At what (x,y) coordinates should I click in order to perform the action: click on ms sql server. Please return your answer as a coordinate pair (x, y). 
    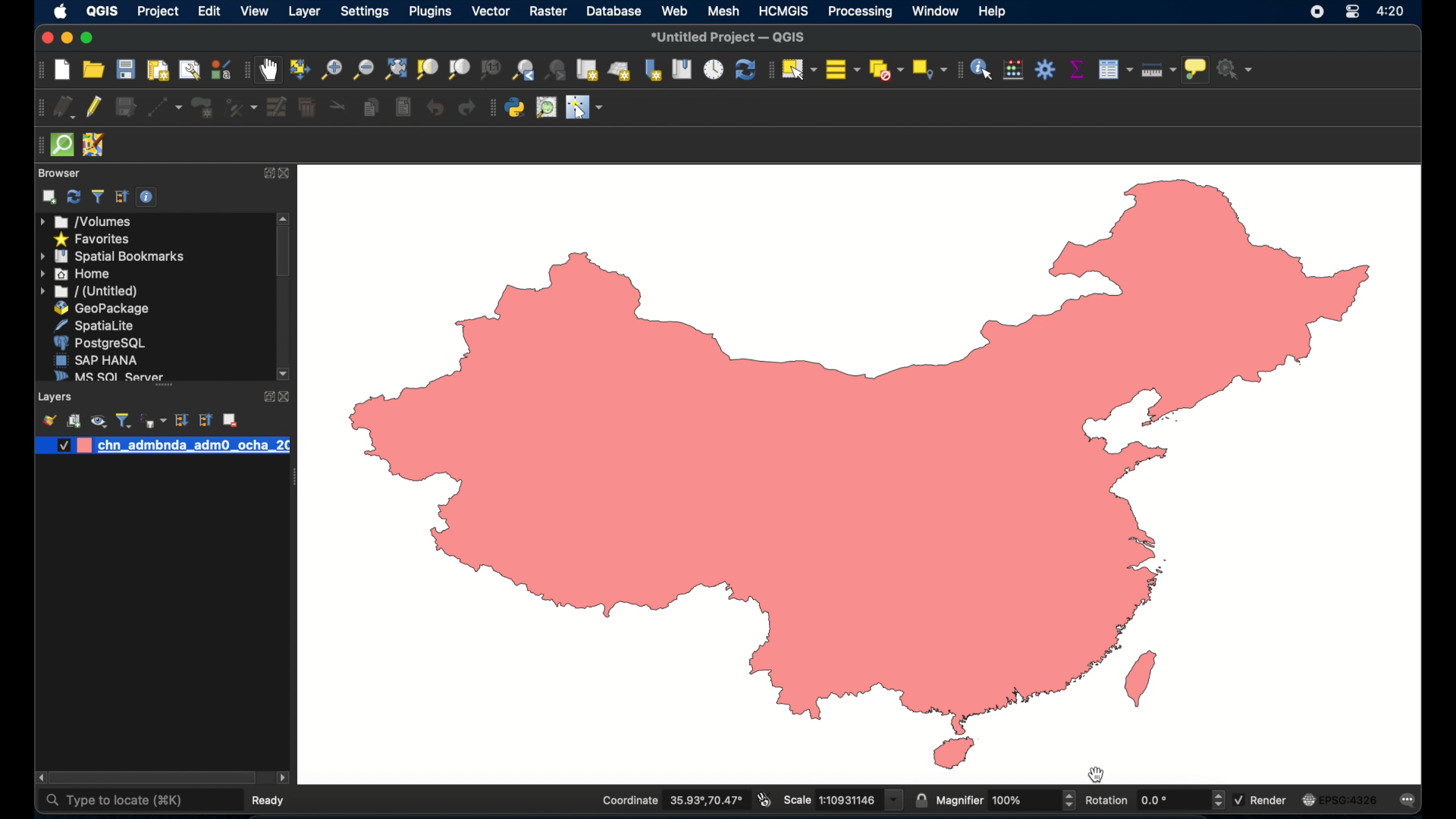
    Looking at the image, I should click on (106, 375).